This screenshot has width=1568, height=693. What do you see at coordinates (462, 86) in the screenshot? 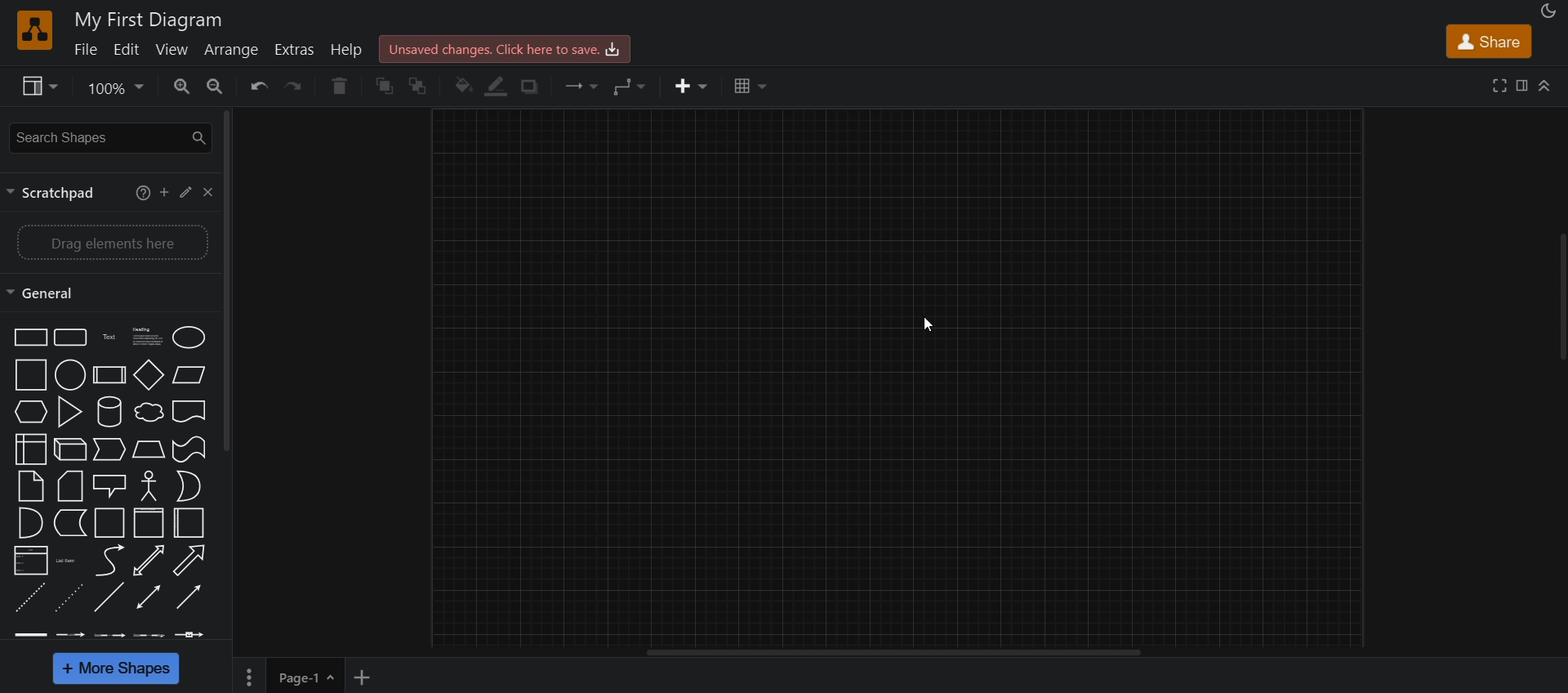
I see `fill` at bounding box center [462, 86].